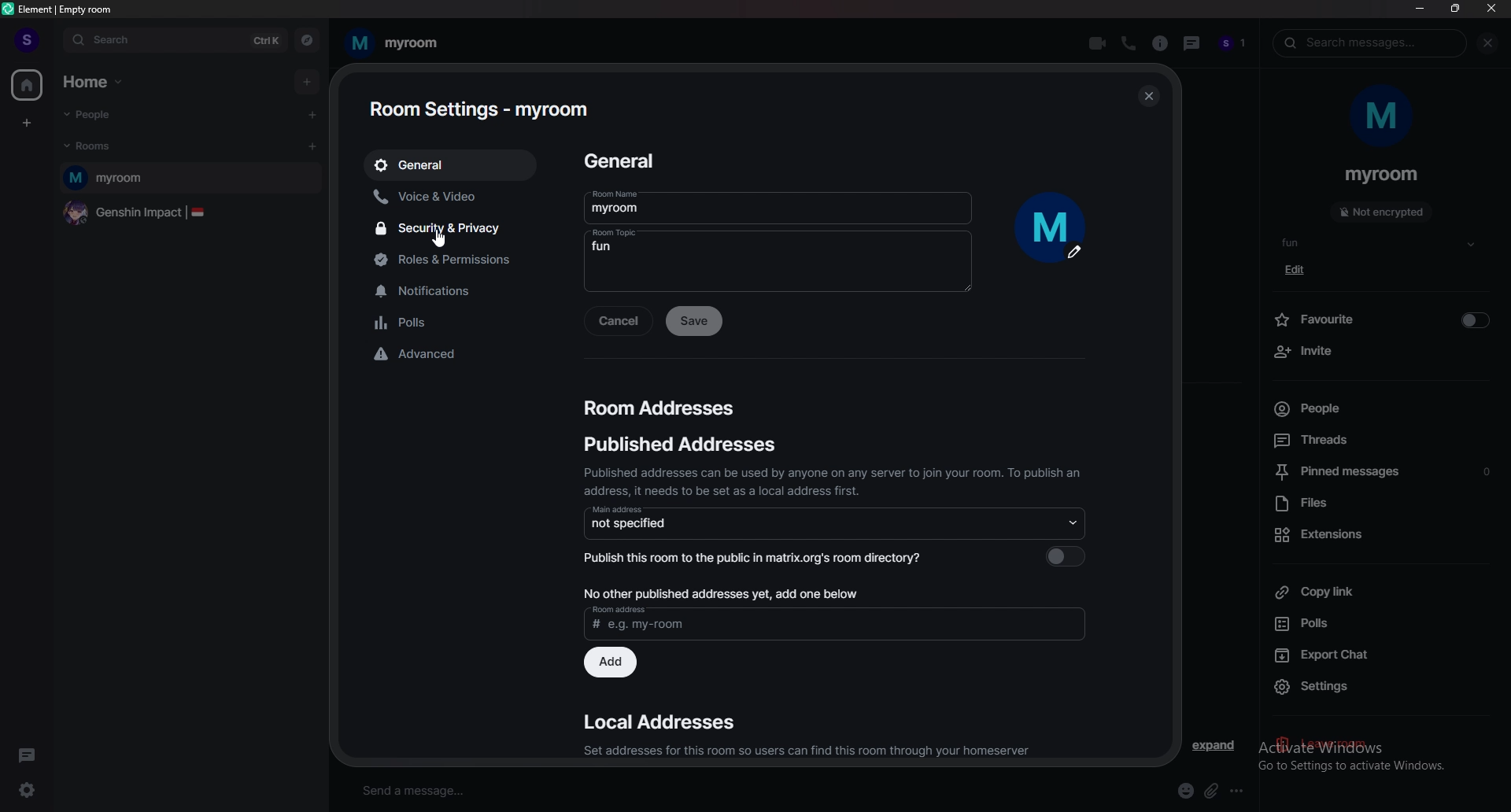  Describe the element at coordinates (1387, 471) in the screenshot. I see `pinned message` at that location.